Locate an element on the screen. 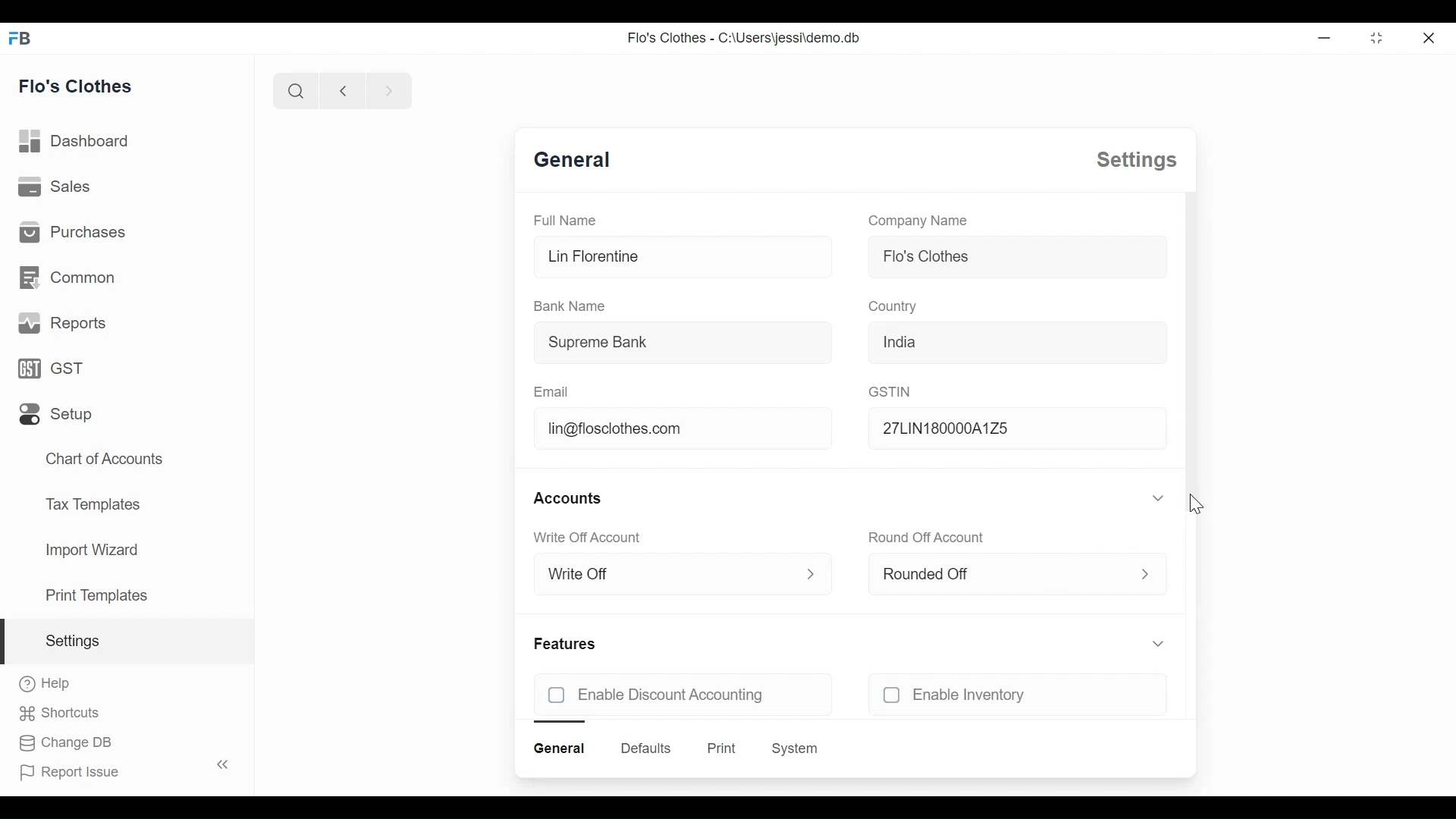 This screenshot has width=1456, height=819. Purchases is located at coordinates (71, 233).